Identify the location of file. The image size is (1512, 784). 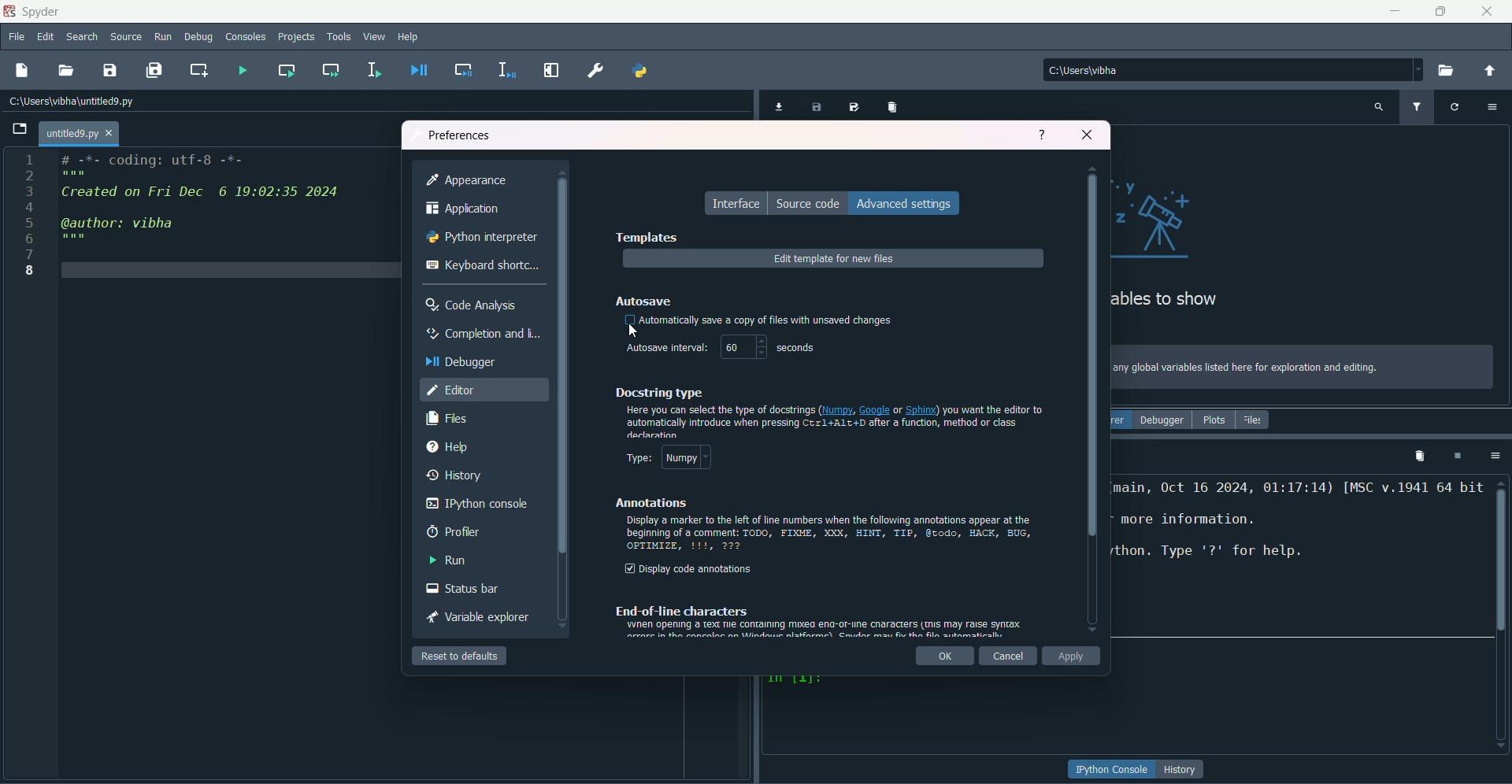
(17, 38).